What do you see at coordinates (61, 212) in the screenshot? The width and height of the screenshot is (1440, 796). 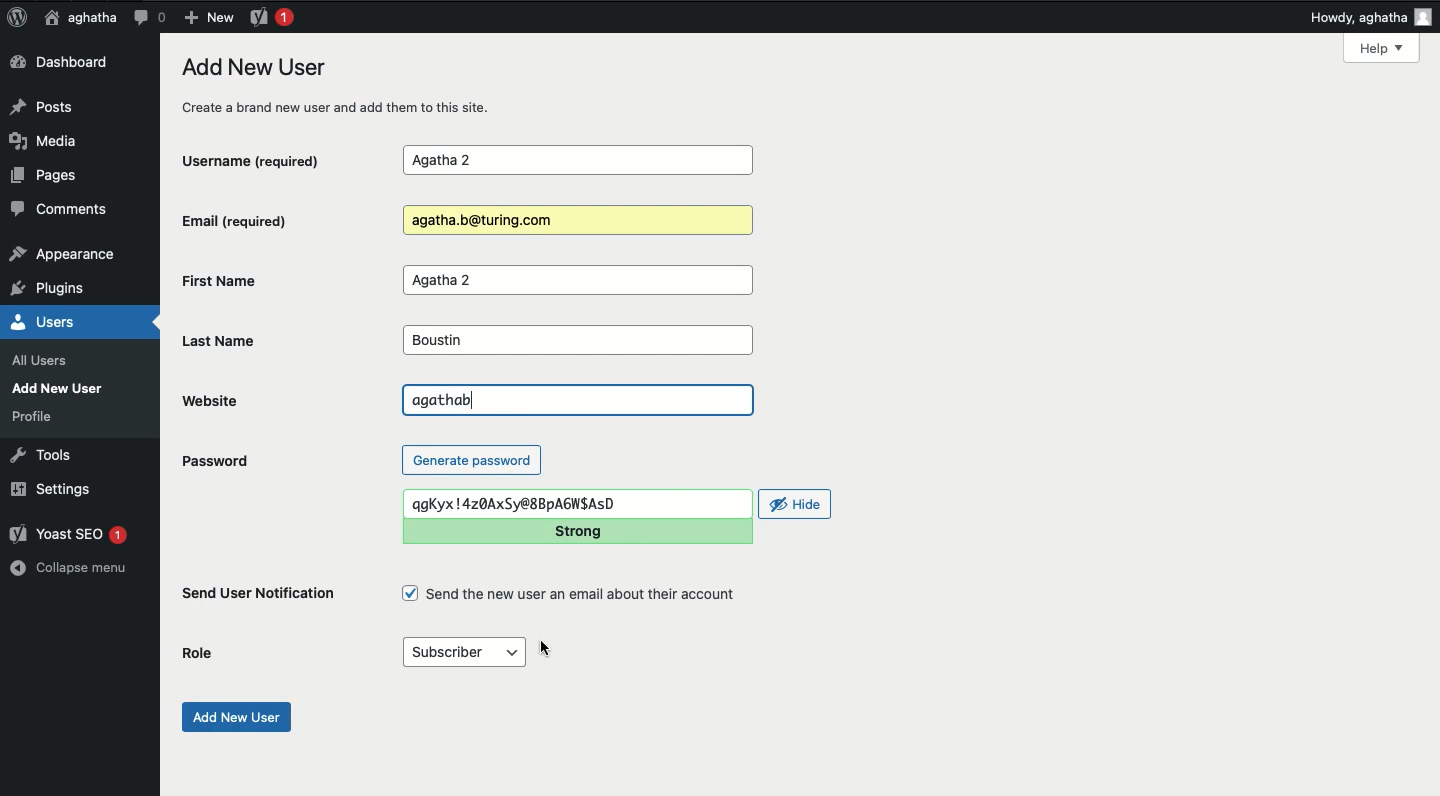 I see `Comments` at bounding box center [61, 212].